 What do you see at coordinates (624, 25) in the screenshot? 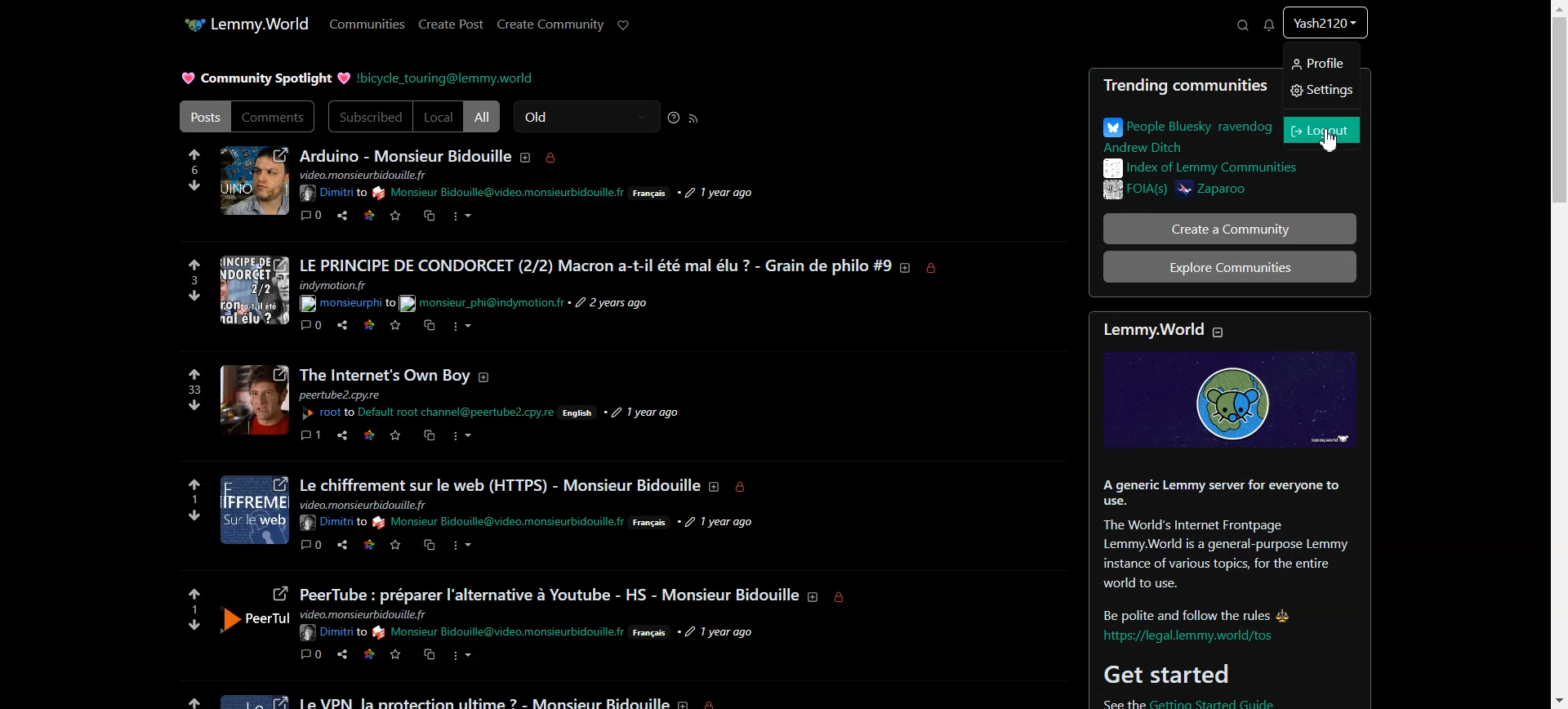
I see `Support Lemmy` at bounding box center [624, 25].